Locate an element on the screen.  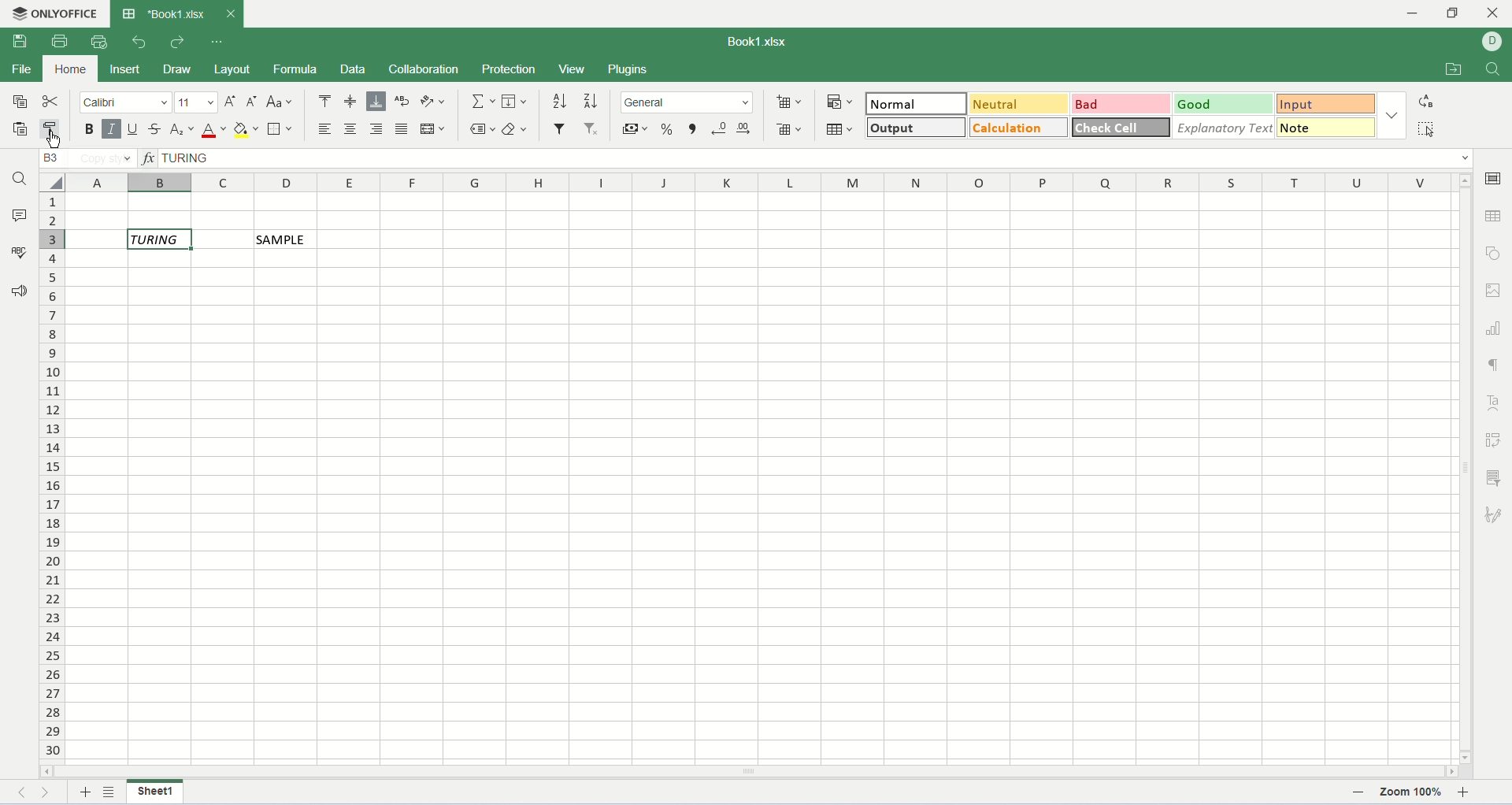
conditional formatting is located at coordinates (841, 102).